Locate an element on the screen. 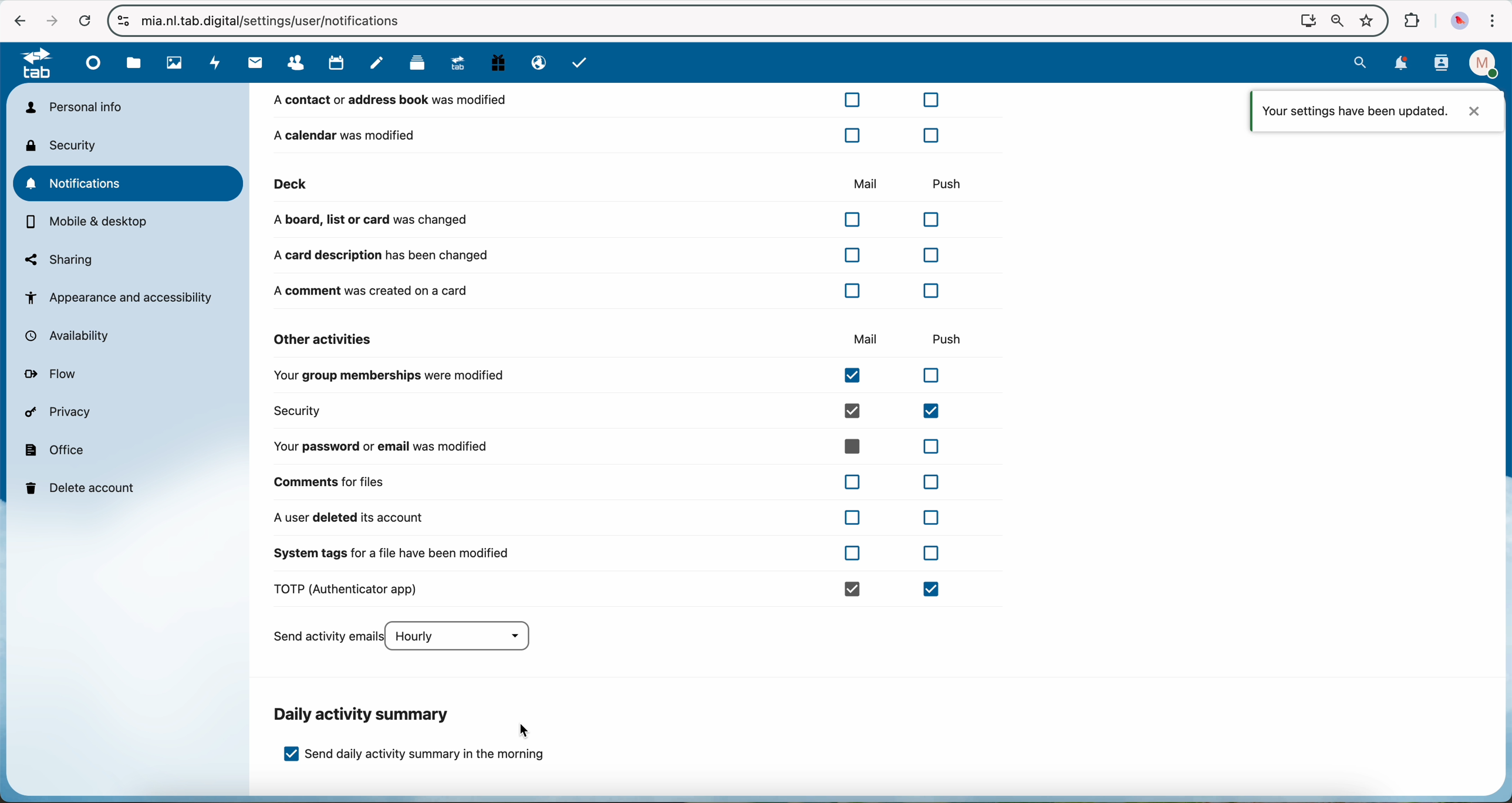 The height and width of the screenshot is (803, 1512). zoom out is located at coordinates (1334, 21).